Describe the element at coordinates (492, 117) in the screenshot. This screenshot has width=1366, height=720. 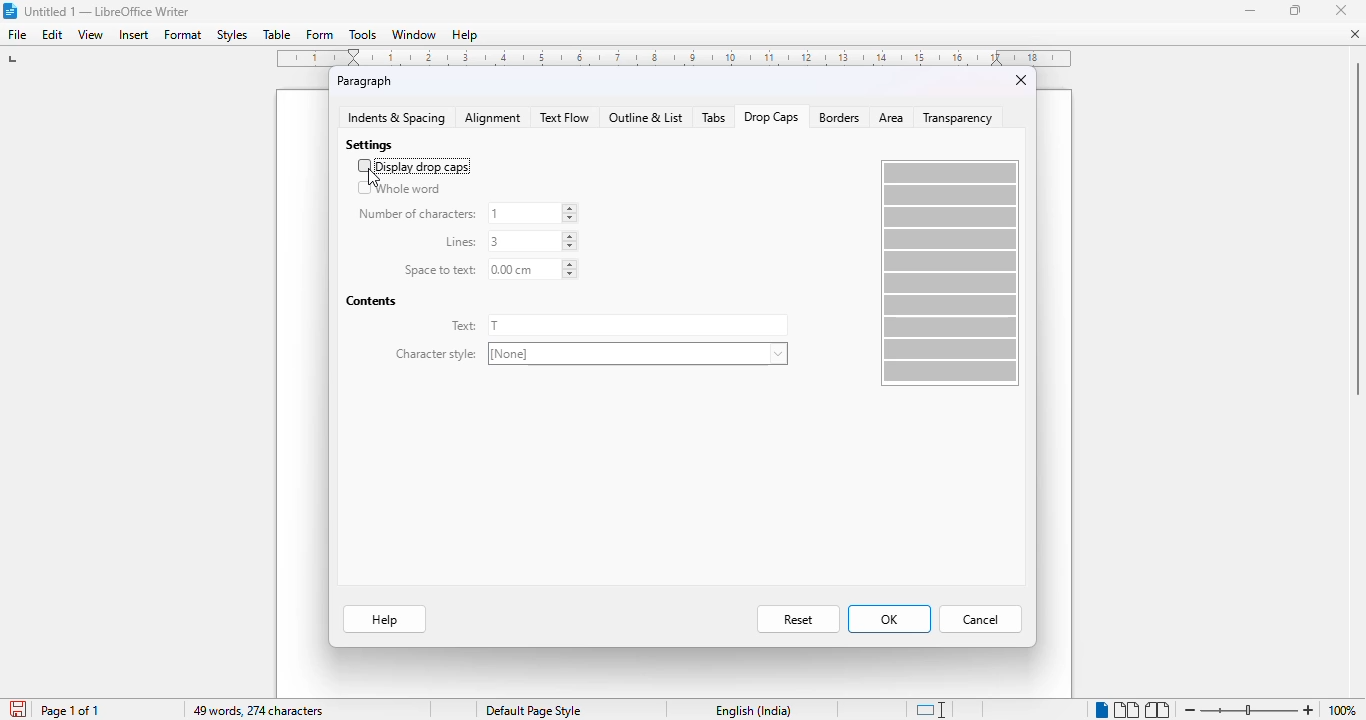
I see `alignment` at that location.